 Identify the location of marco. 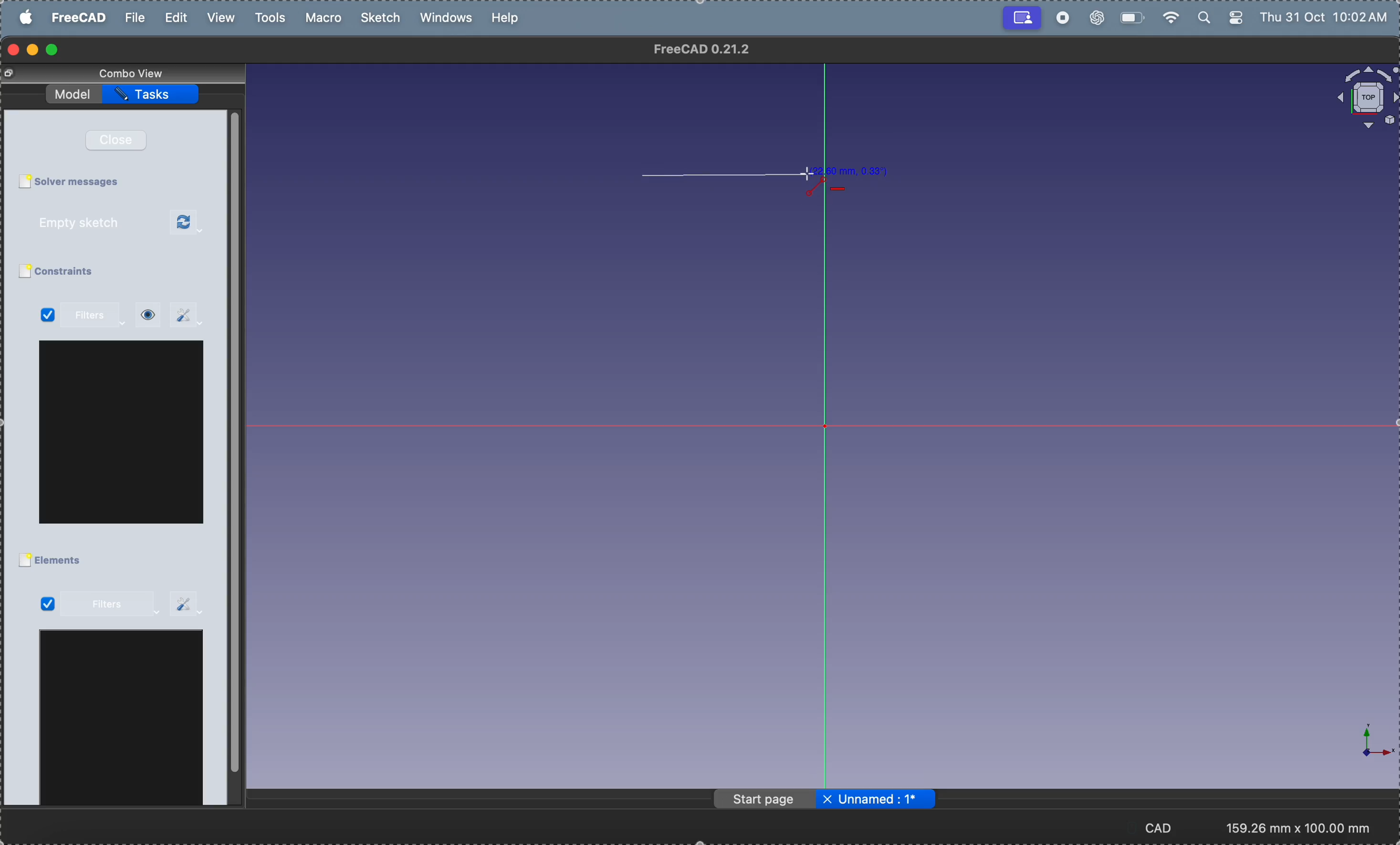
(327, 18).